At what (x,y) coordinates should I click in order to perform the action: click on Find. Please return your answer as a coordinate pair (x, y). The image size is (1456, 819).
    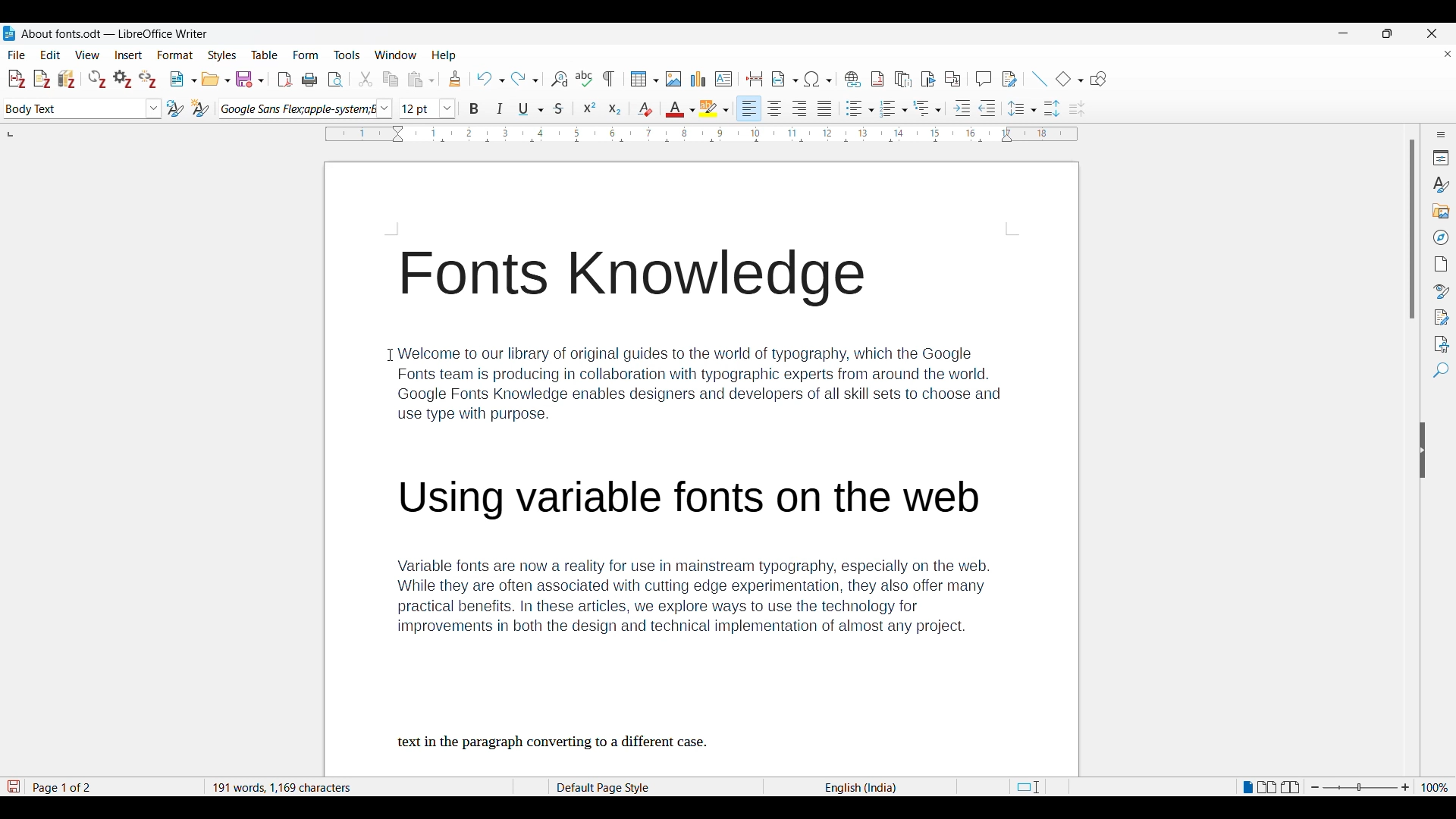
    Looking at the image, I should click on (1441, 370).